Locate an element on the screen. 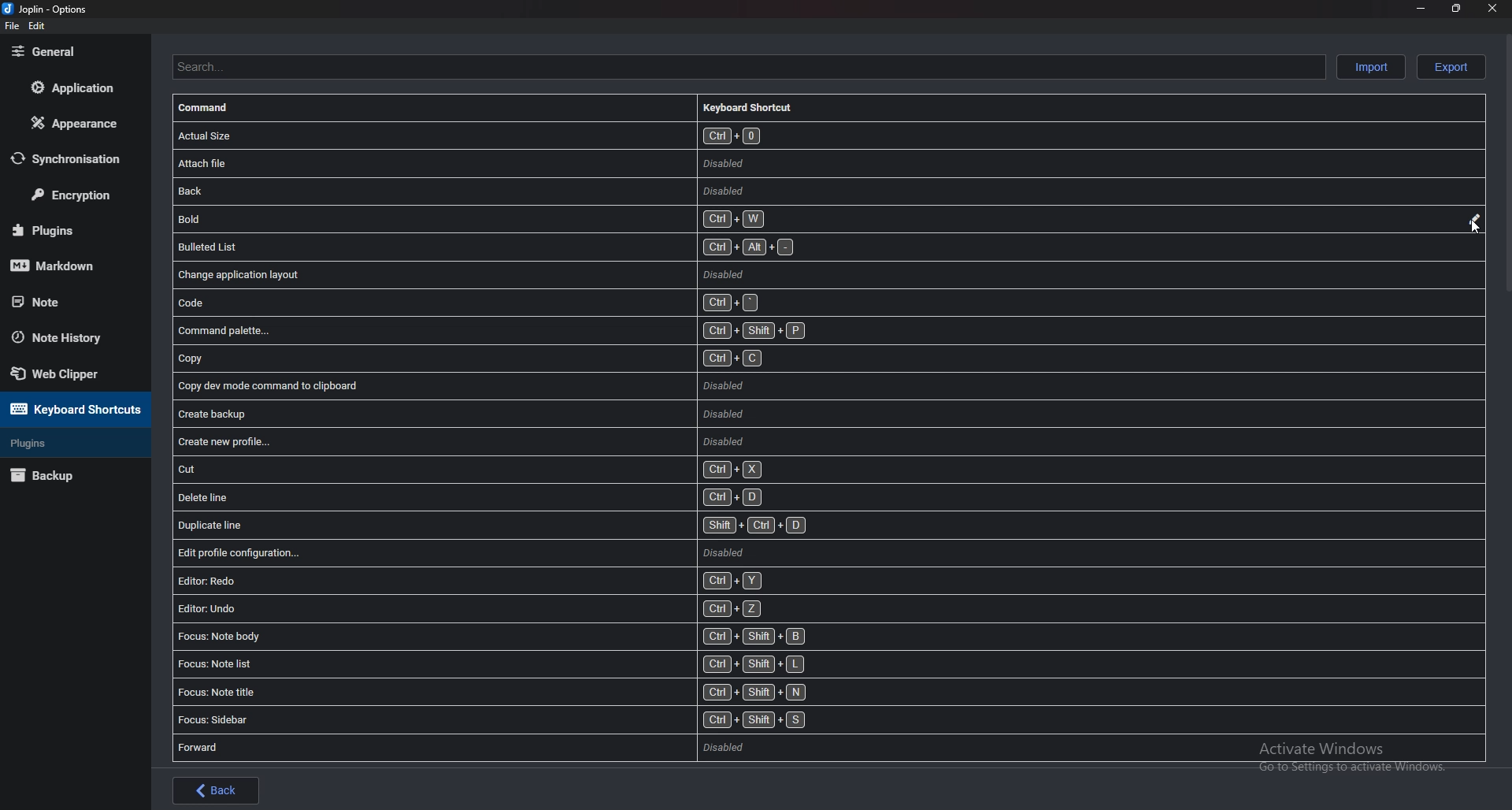 Image resolution: width=1512 pixels, height=810 pixels. edit is located at coordinates (1473, 220).